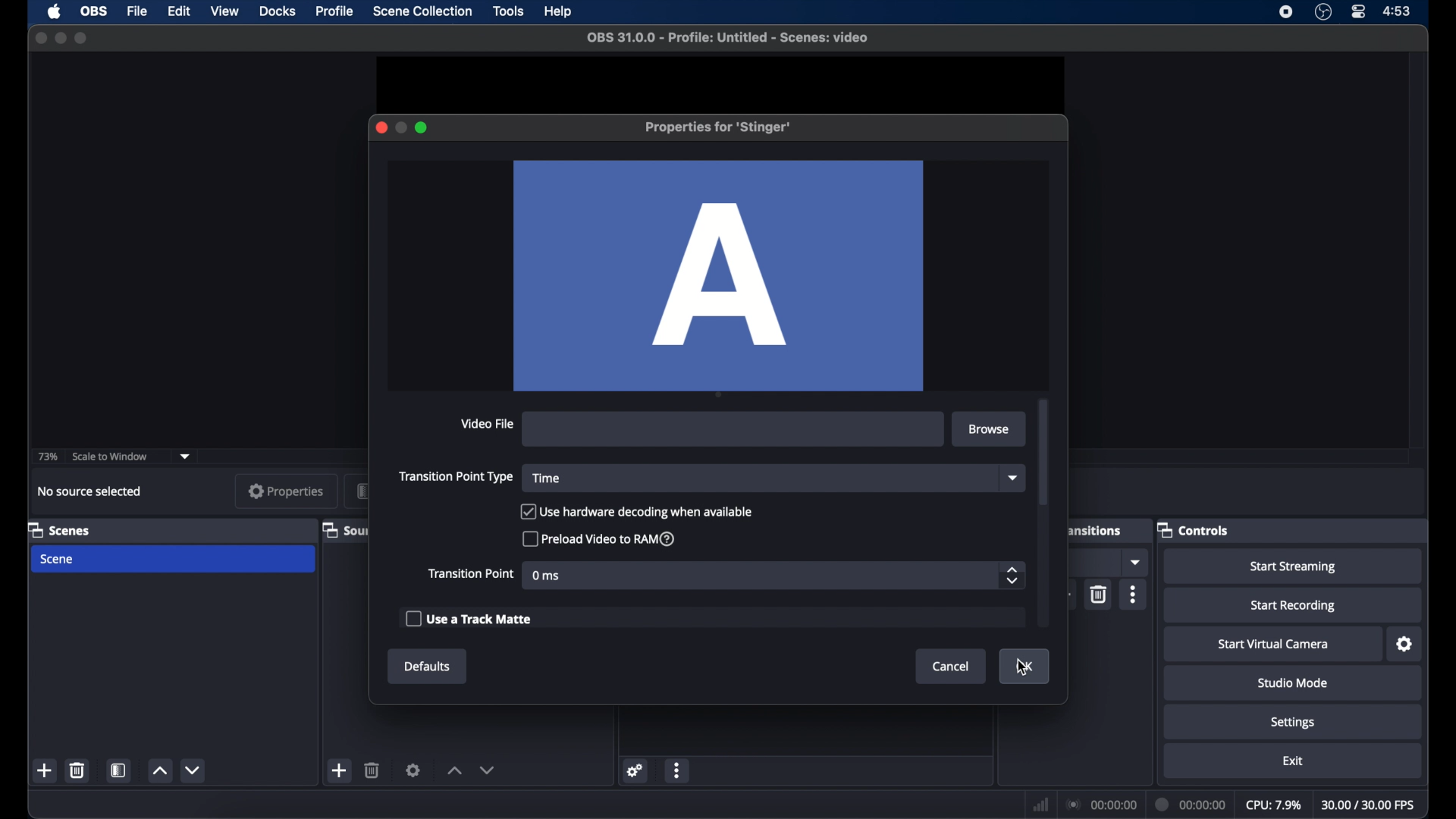 Image resolution: width=1456 pixels, height=819 pixels. I want to click on maximize, so click(82, 37).